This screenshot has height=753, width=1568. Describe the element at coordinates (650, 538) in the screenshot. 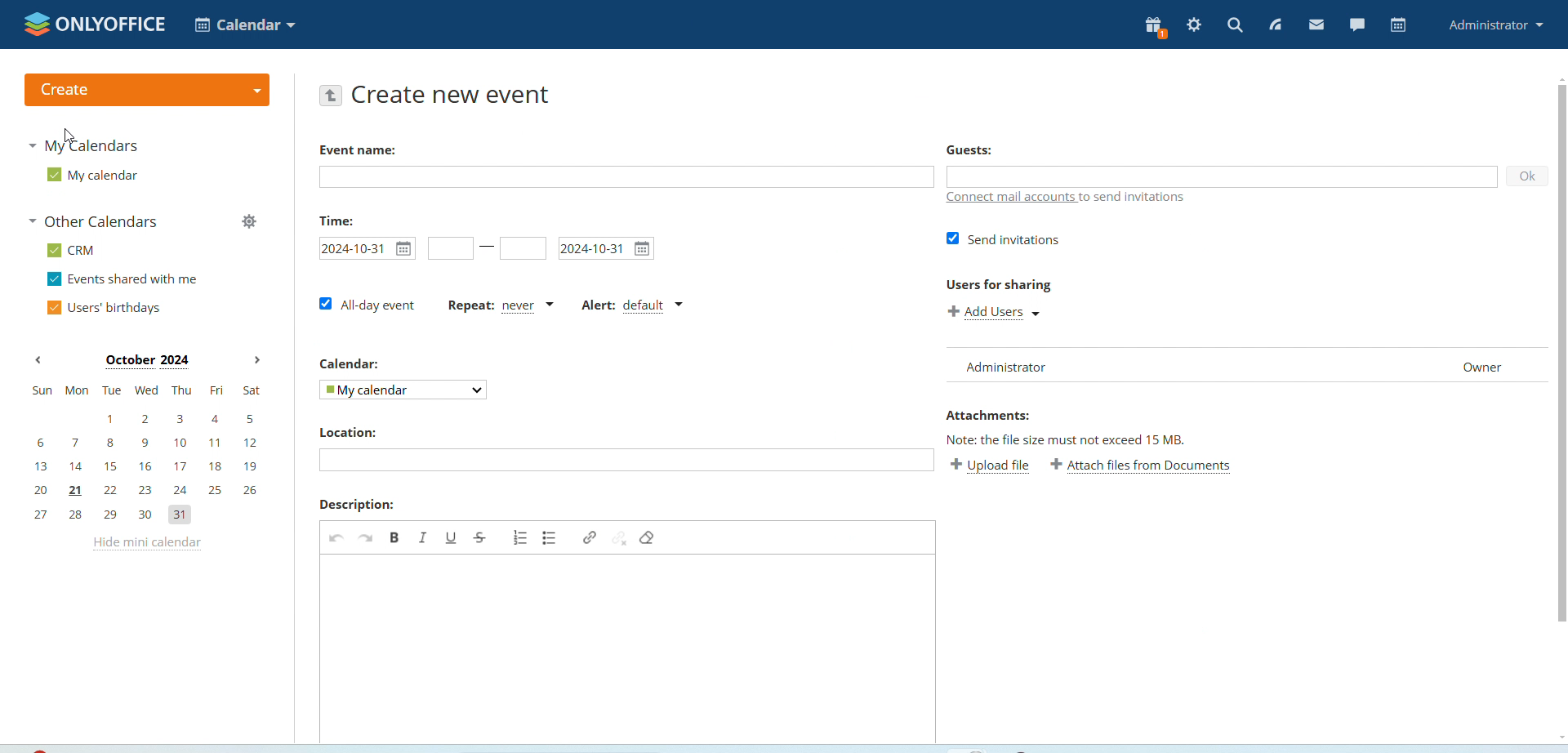

I see `remove foramt` at that location.